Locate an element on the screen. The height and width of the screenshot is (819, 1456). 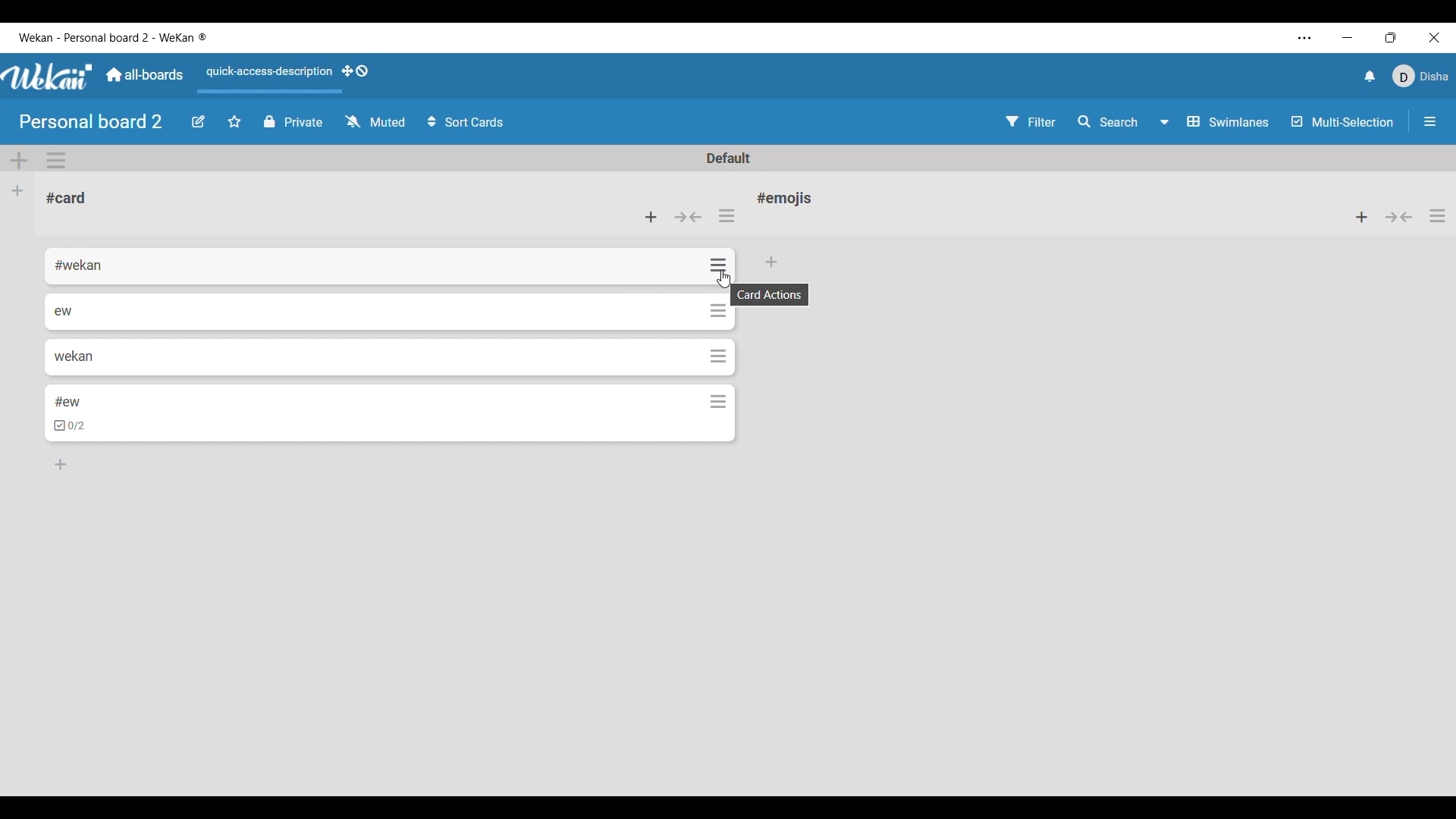
Add swimlane is located at coordinates (19, 161).